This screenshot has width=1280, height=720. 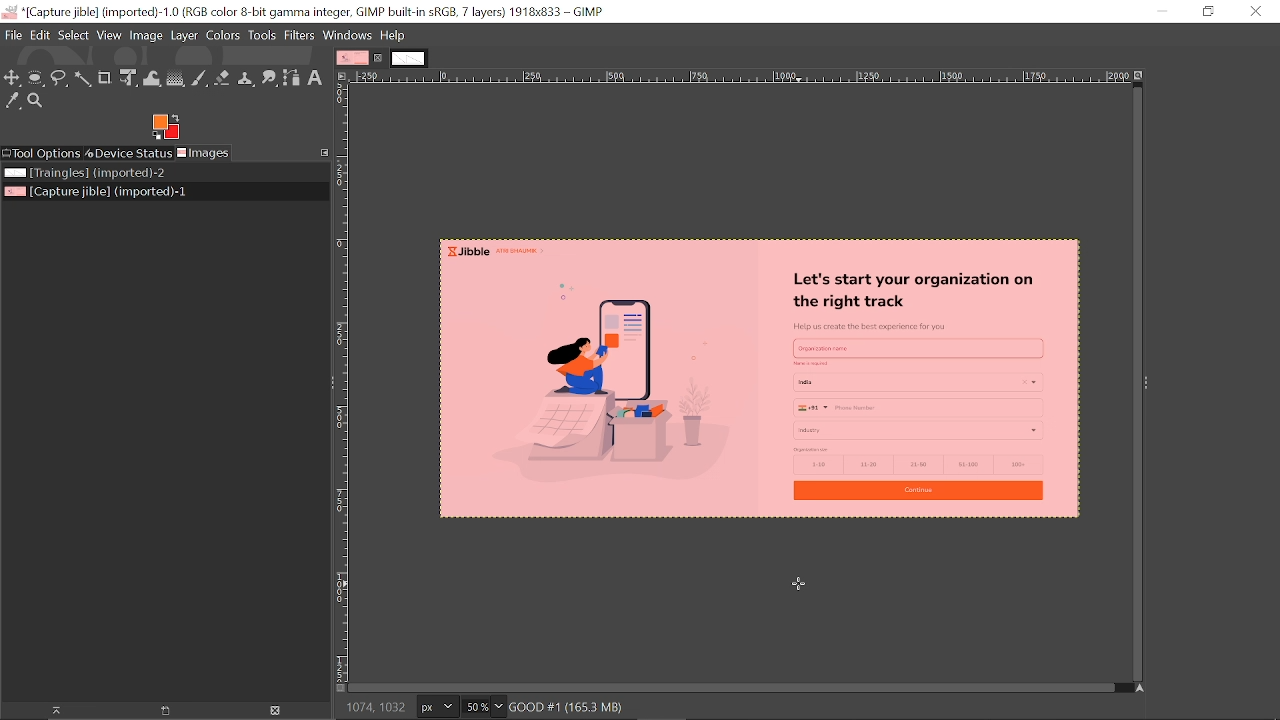 What do you see at coordinates (353, 58) in the screenshot?
I see `Current tab` at bounding box center [353, 58].